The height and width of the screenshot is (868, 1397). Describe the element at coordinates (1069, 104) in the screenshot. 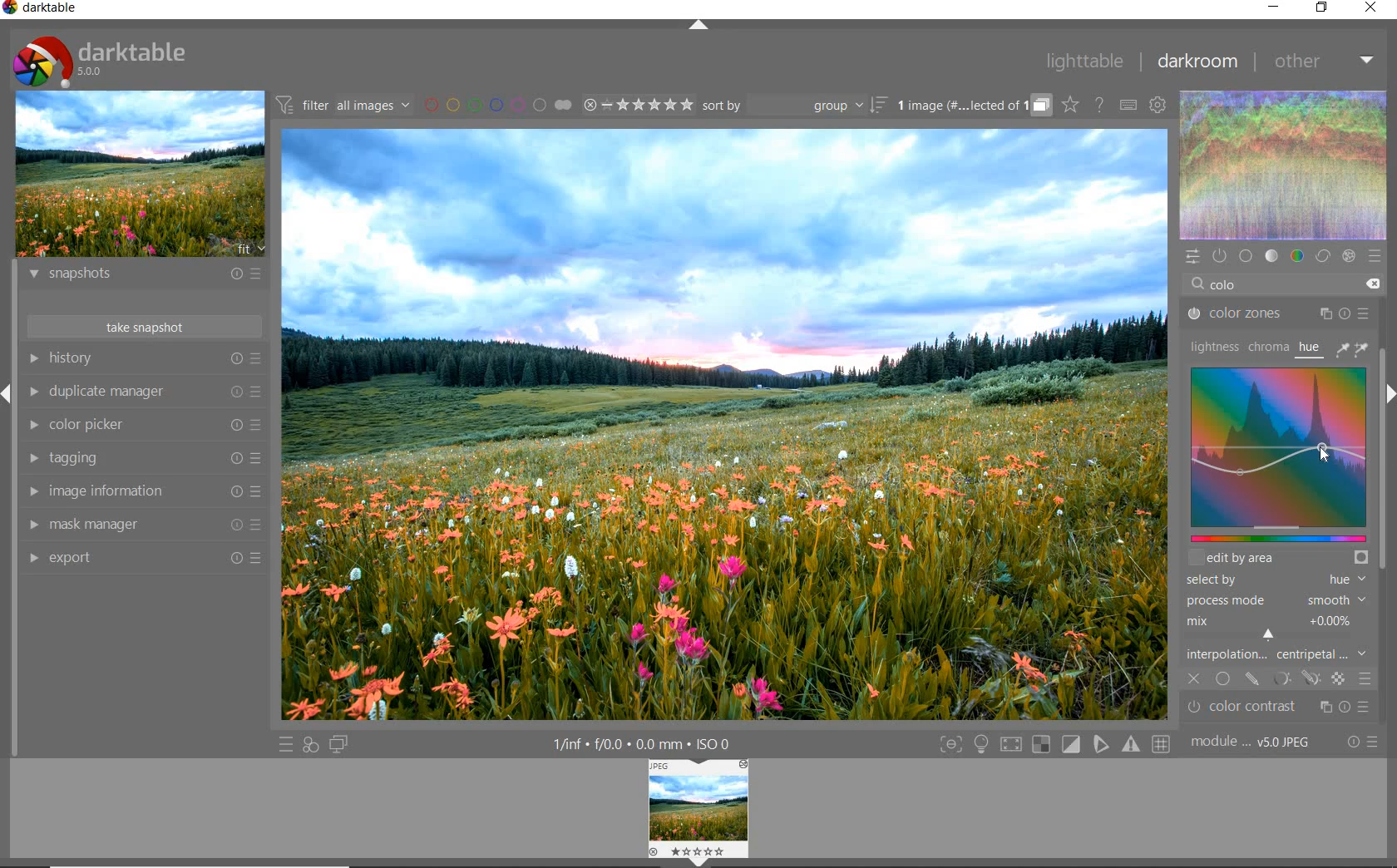

I see `click to change overlays on thumbnails` at that location.